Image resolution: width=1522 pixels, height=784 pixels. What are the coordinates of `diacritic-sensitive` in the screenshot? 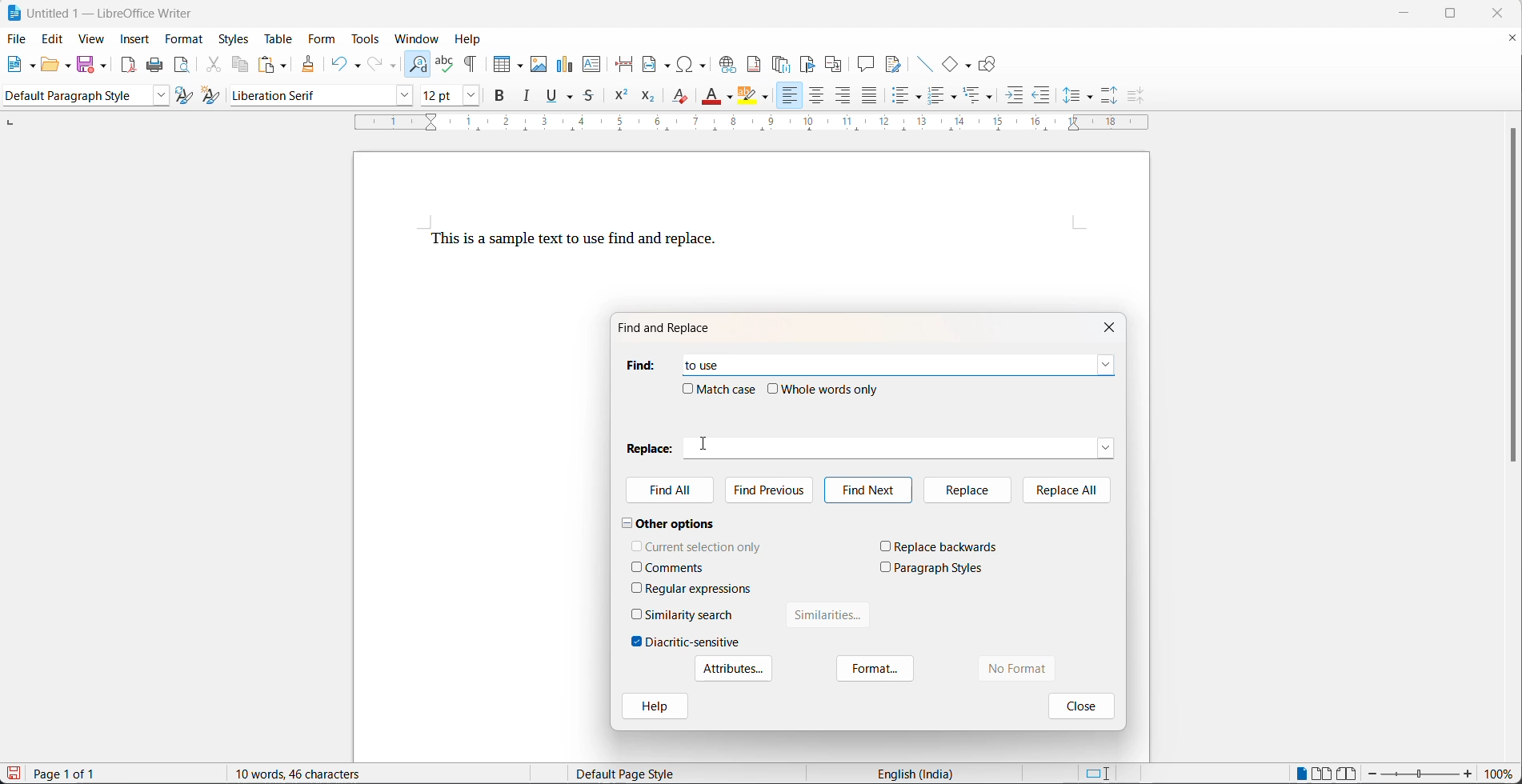 It's located at (693, 642).